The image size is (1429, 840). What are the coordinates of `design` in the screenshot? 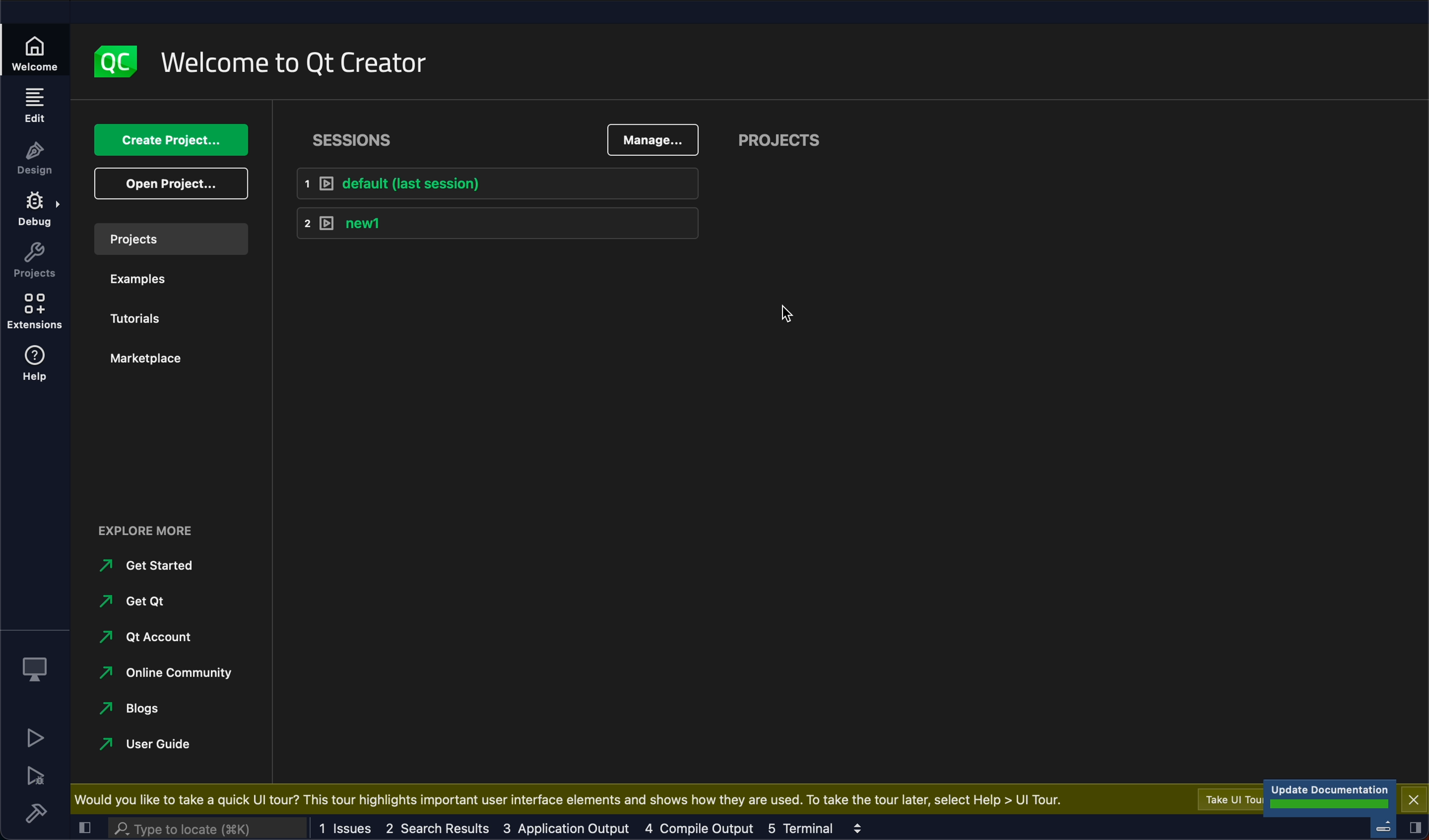 It's located at (35, 158).